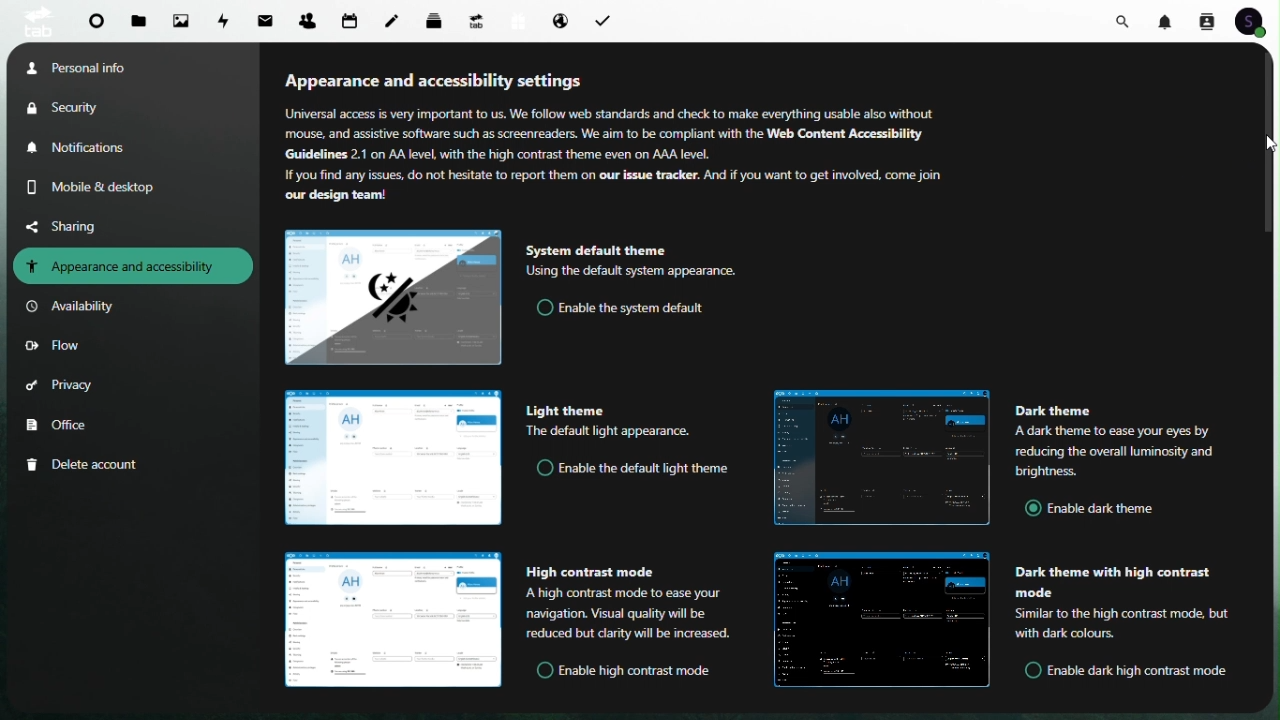 The image size is (1280, 720). What do you see at coordinates (35, 21) in the screenshot?
I see `tab` at bounding box center [35, 21].